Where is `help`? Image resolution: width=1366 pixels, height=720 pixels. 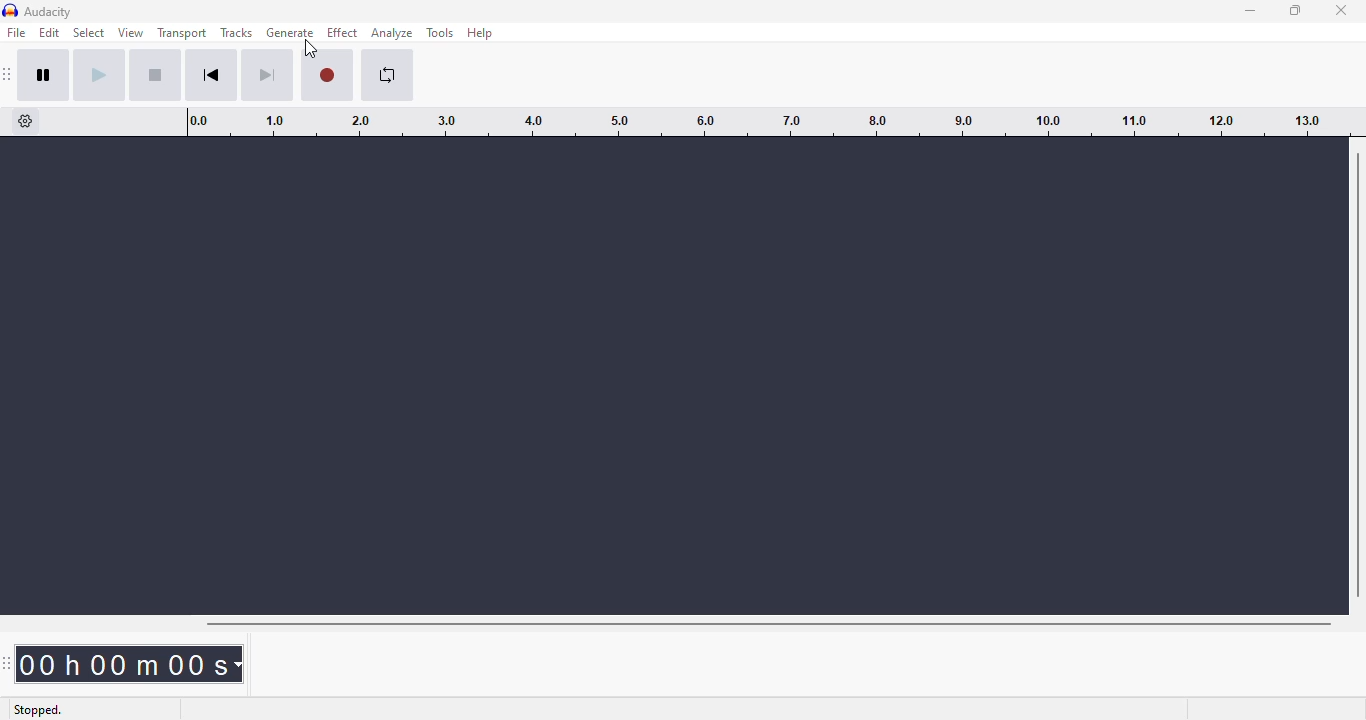
help is located at coordinates (480, 33).